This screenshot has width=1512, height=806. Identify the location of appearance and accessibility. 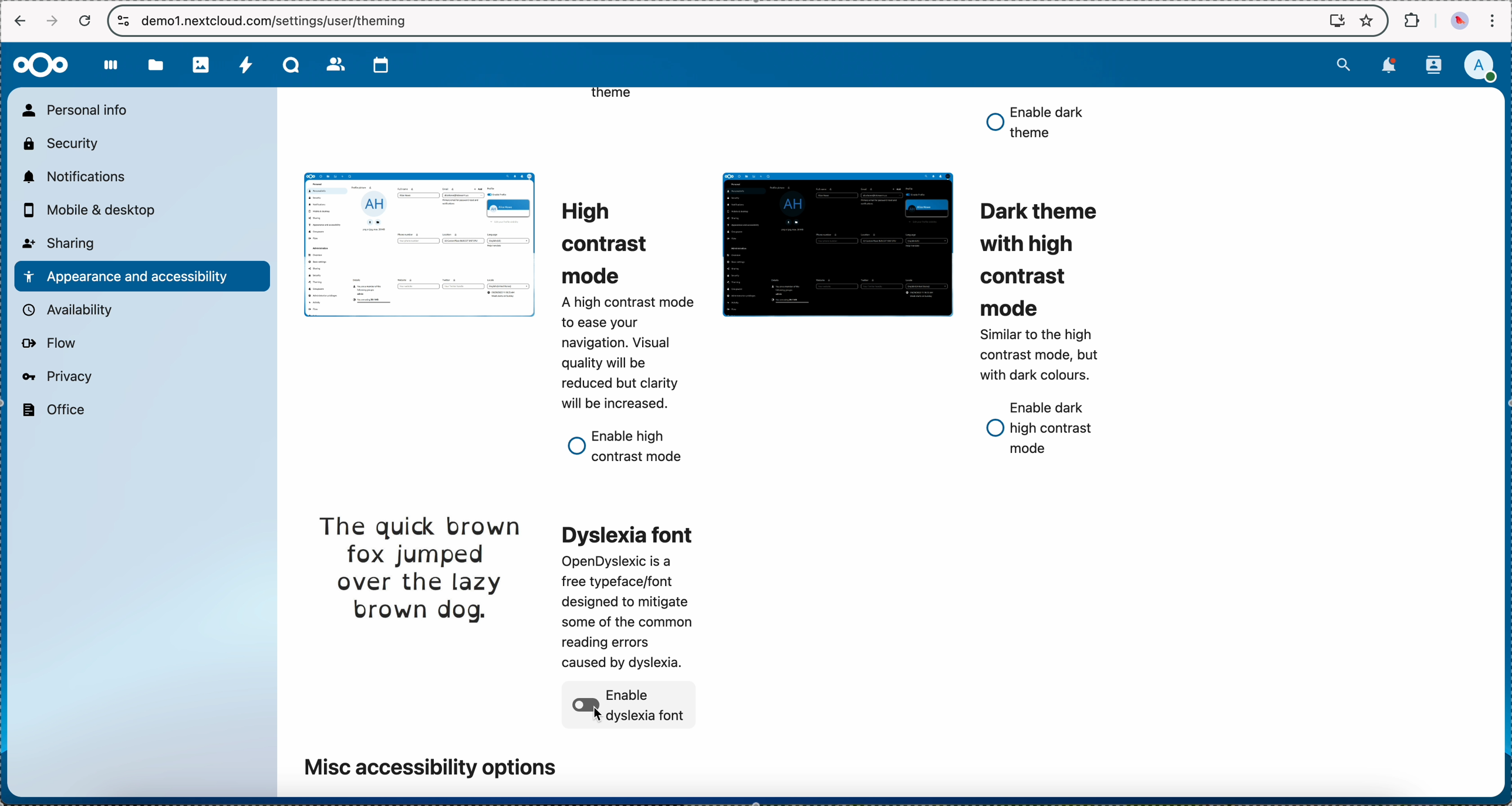
(141, 276).